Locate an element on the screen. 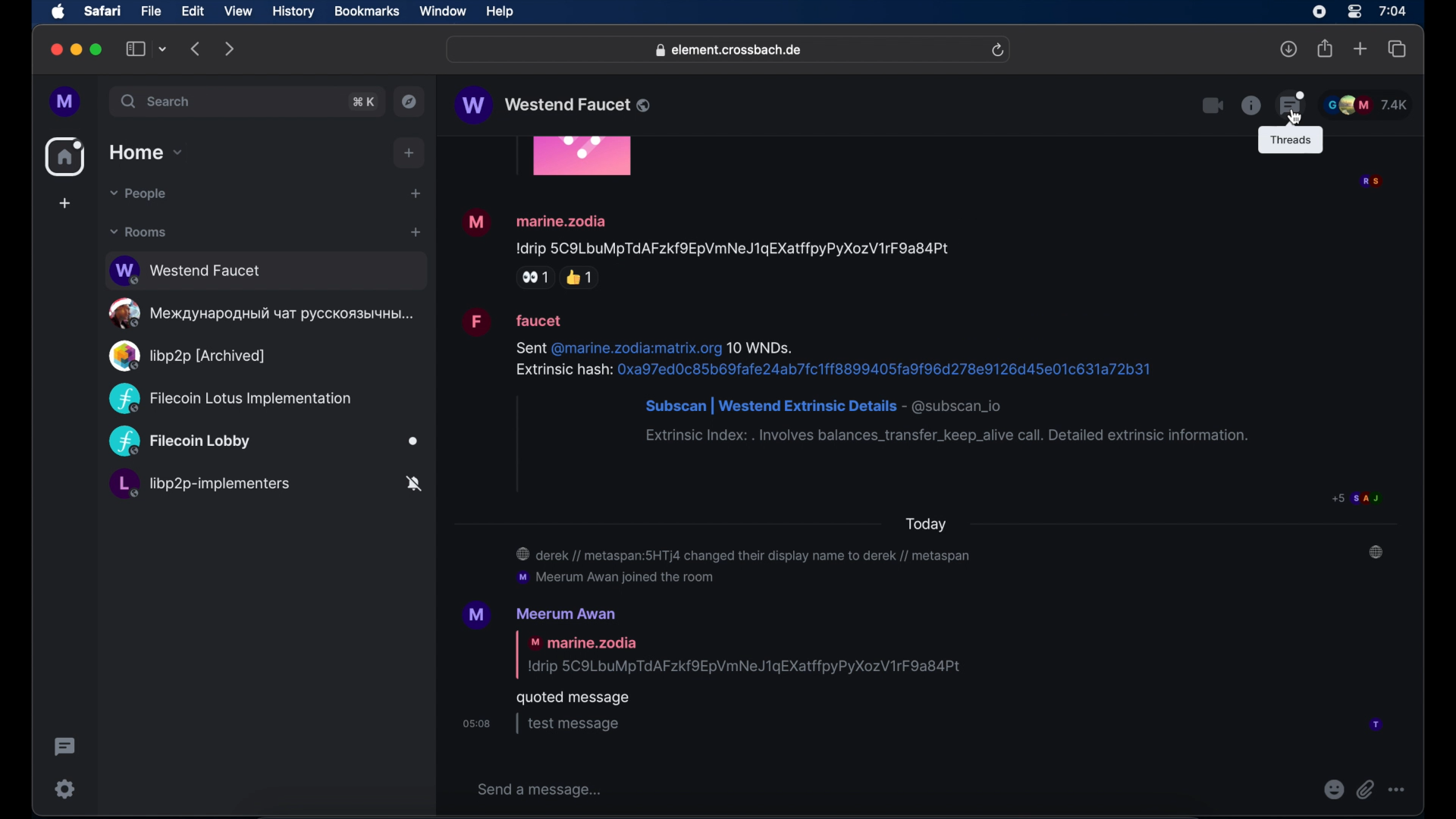 The height and width of the screenshot is (819, 1456). file is located at coordinates (151, 12).